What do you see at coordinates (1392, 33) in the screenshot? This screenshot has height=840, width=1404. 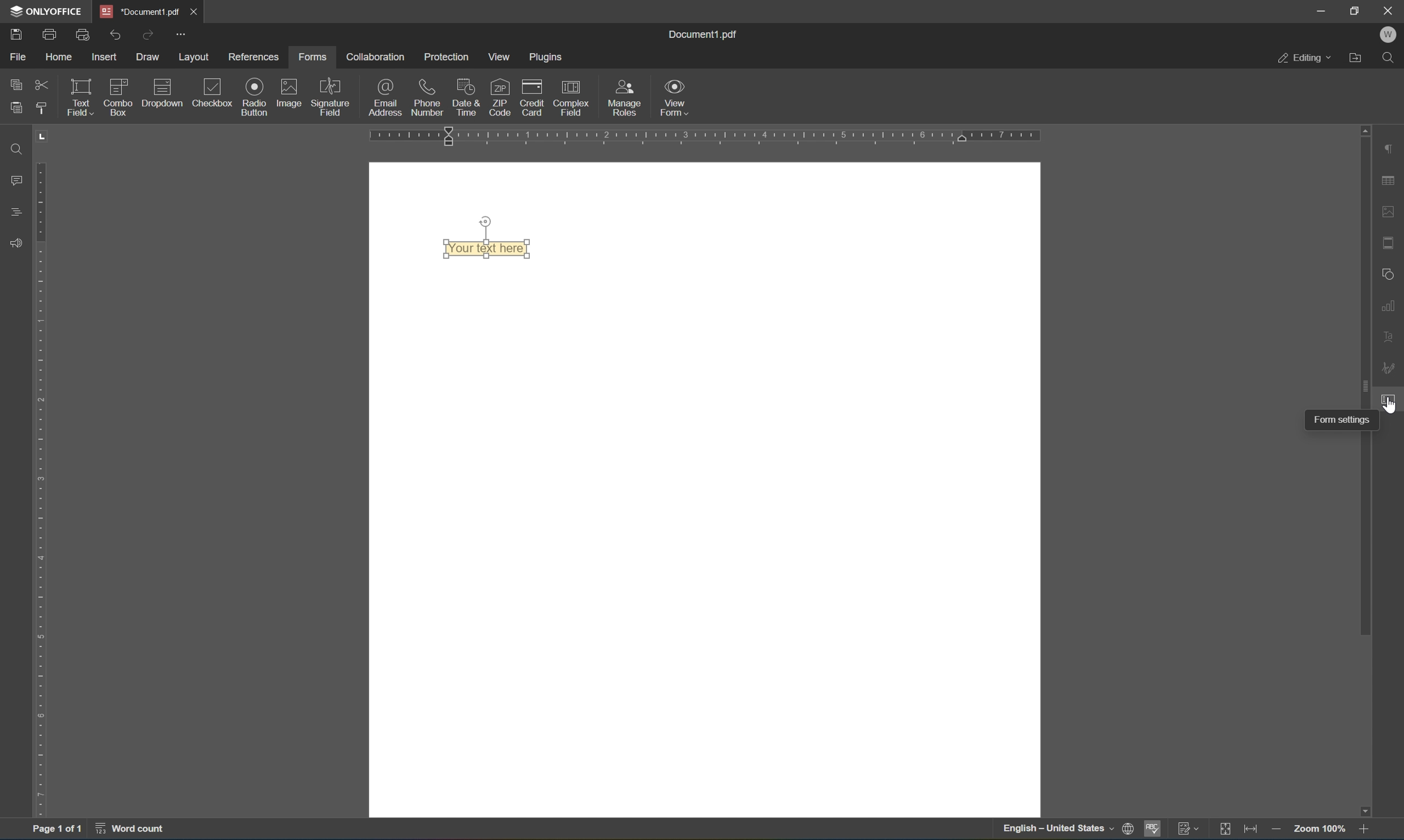 I see `W` at bounding box center [1392, 33].